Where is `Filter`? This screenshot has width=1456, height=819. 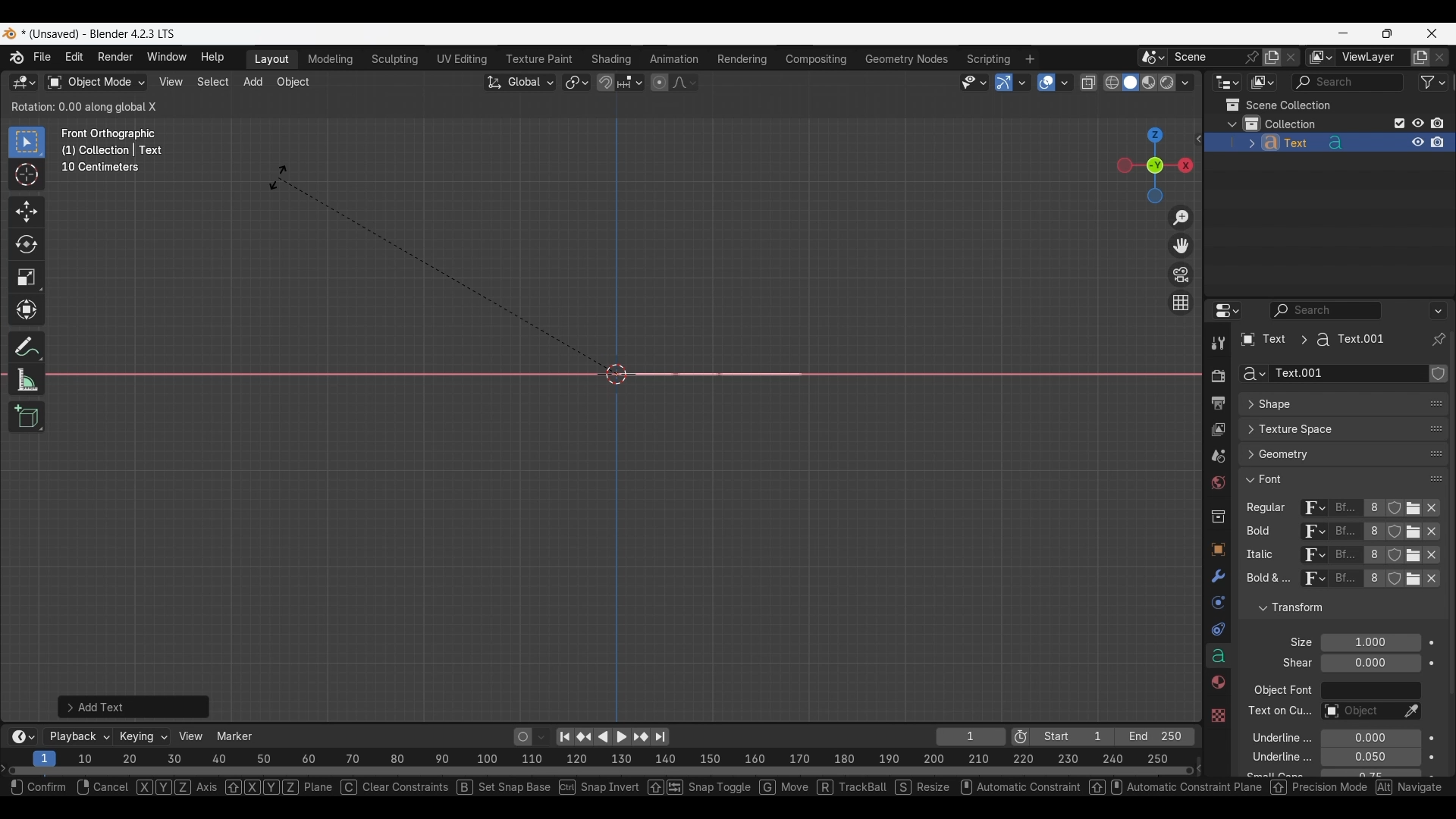 Filter is located at coordinates (1433, 82).